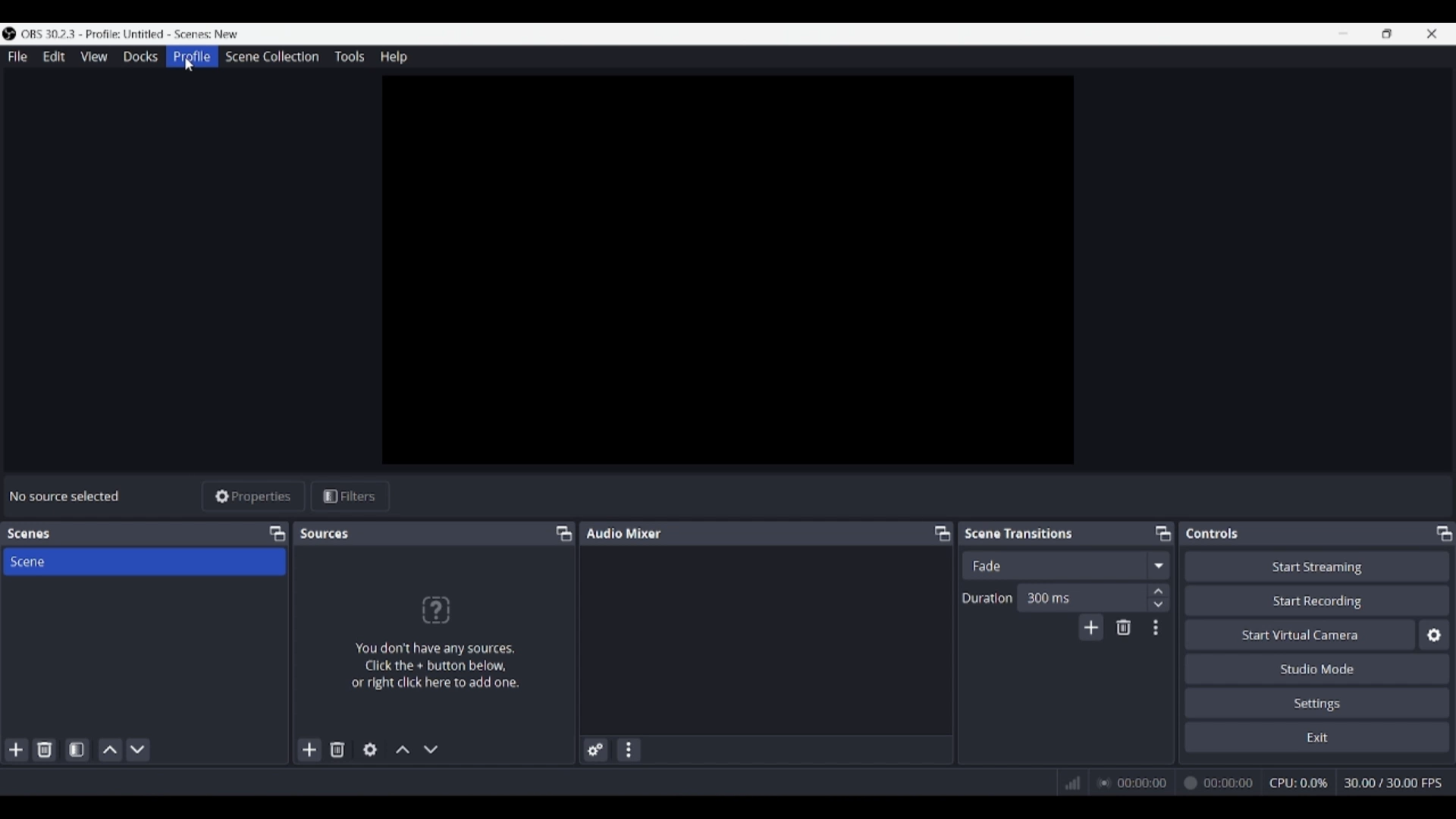  What do you see at coordinates (730, 270) in the screenshot?
I see `Source space` at bounding box center [730, 270].